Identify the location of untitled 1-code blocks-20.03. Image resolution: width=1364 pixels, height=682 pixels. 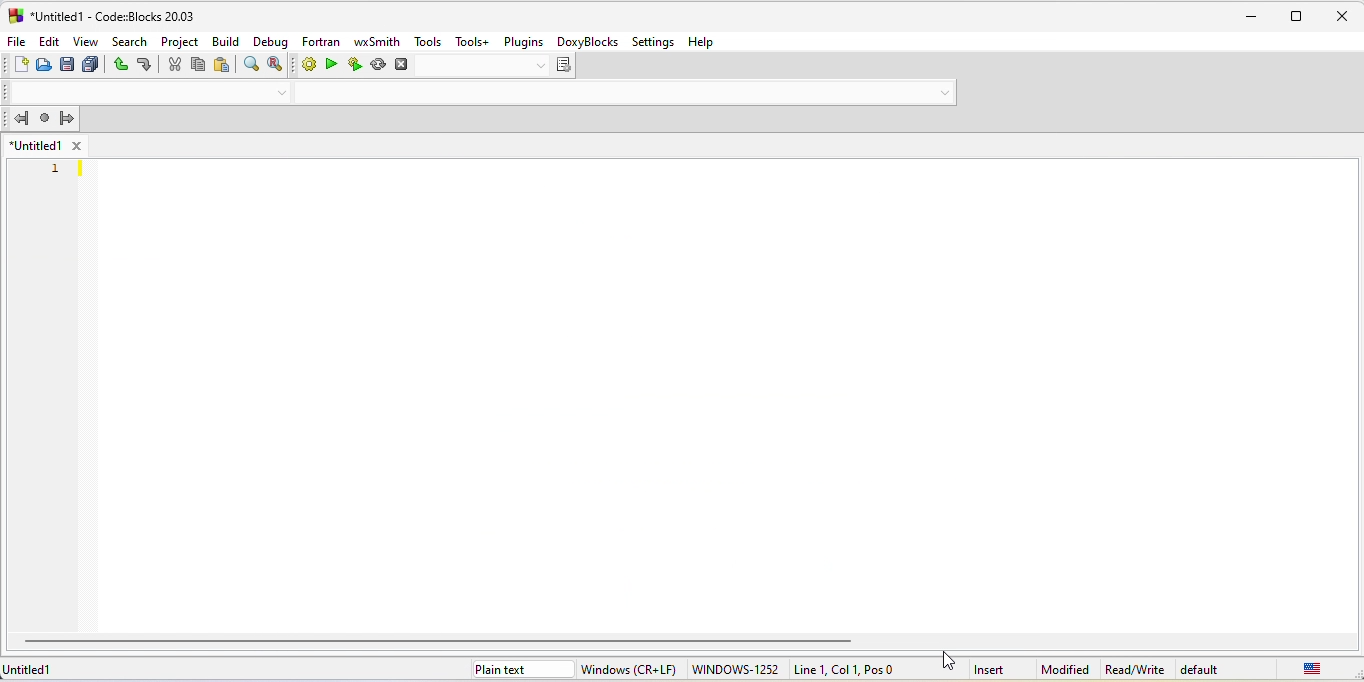
(113, 17).